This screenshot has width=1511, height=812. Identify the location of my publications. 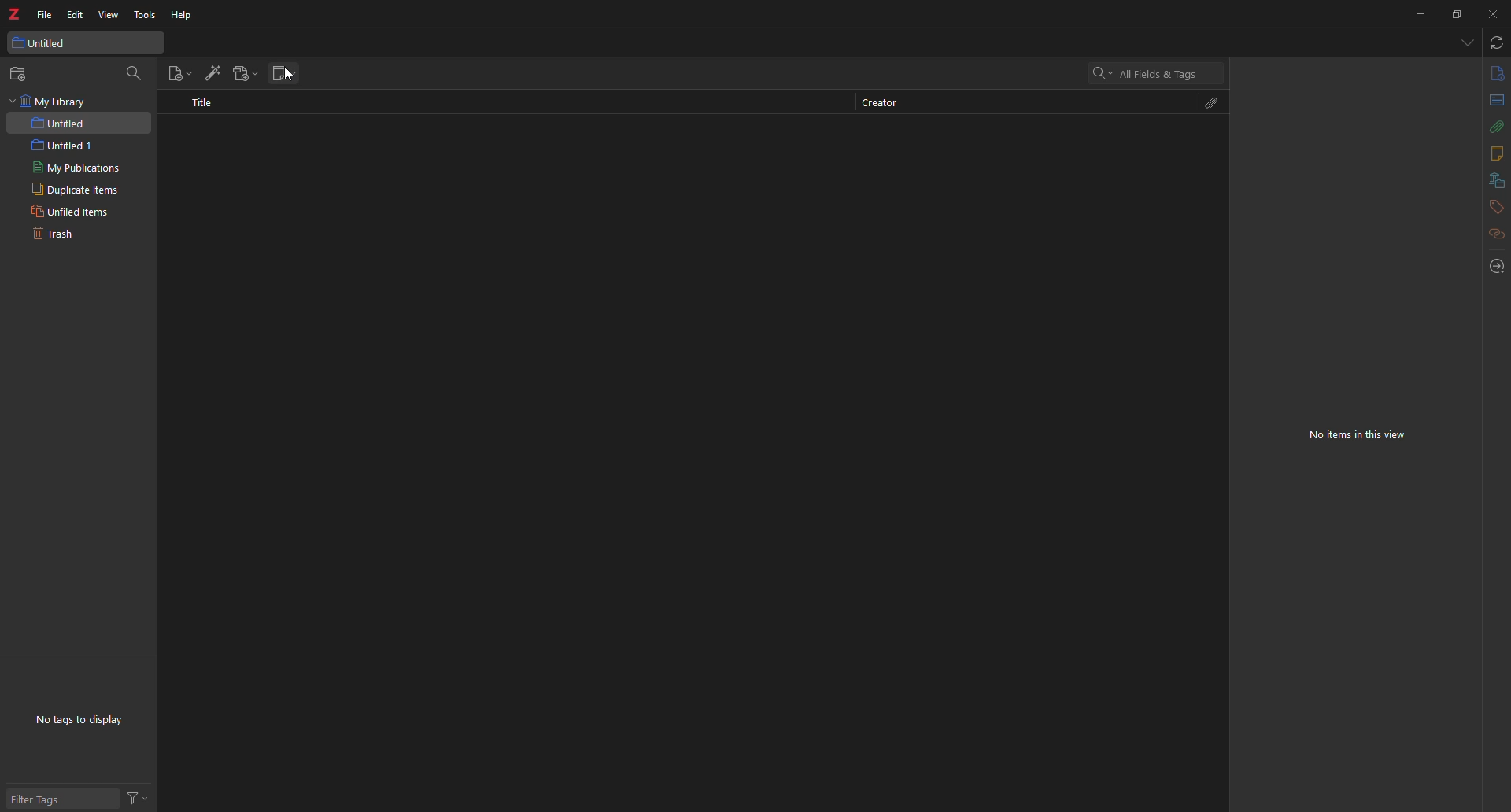
(76, 168).